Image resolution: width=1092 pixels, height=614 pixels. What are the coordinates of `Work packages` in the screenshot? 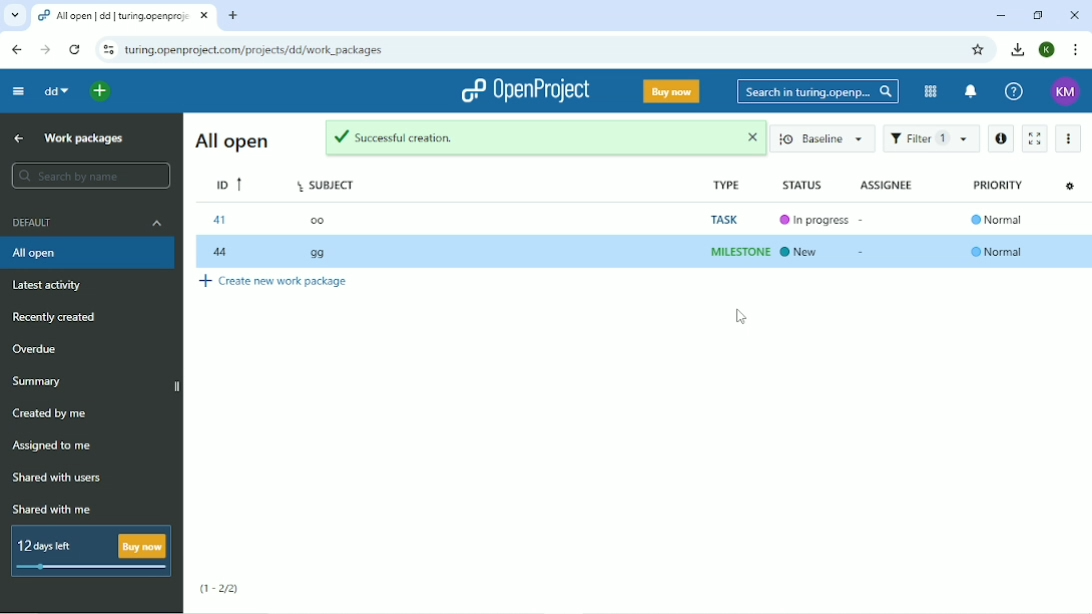 It's located at (84, 140).